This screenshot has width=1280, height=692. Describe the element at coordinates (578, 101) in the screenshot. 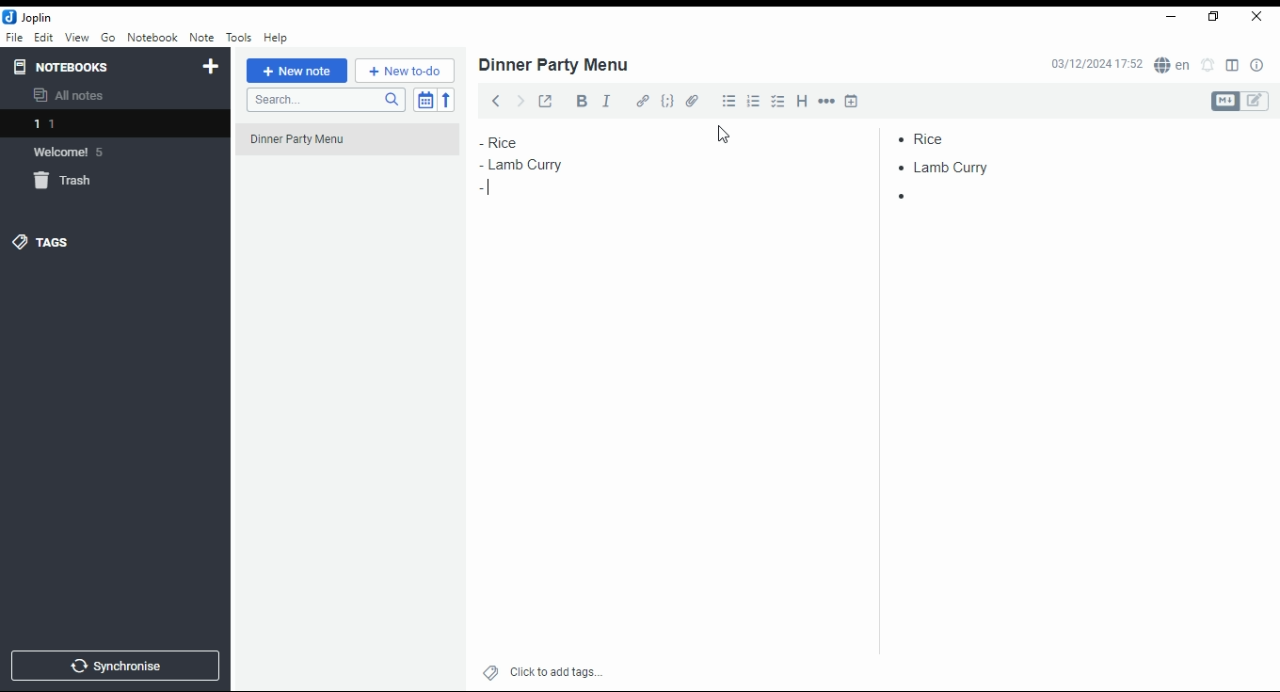

I see `bold` at that location.